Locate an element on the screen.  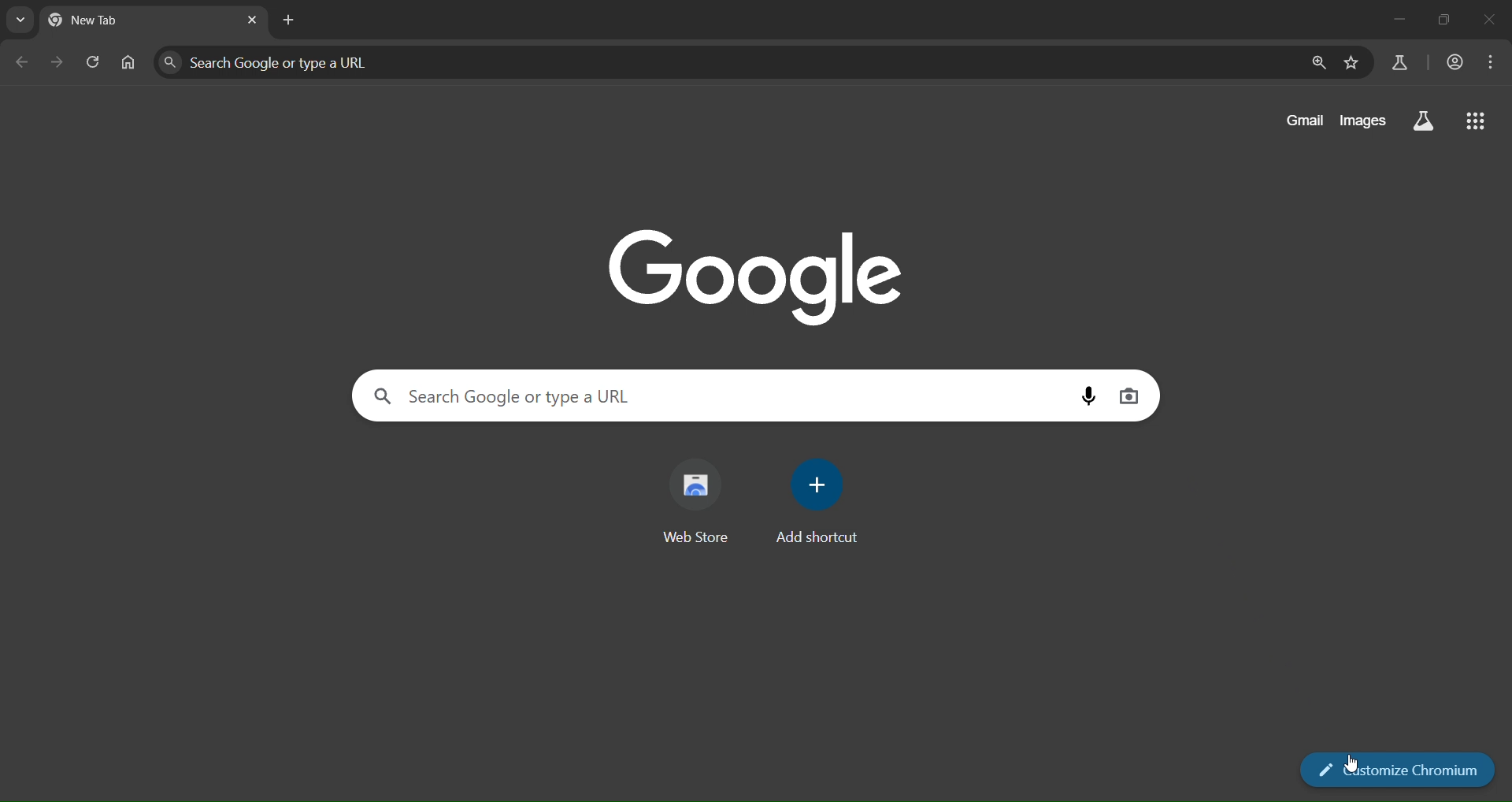
voice search is located at coordinates (1091, 394).